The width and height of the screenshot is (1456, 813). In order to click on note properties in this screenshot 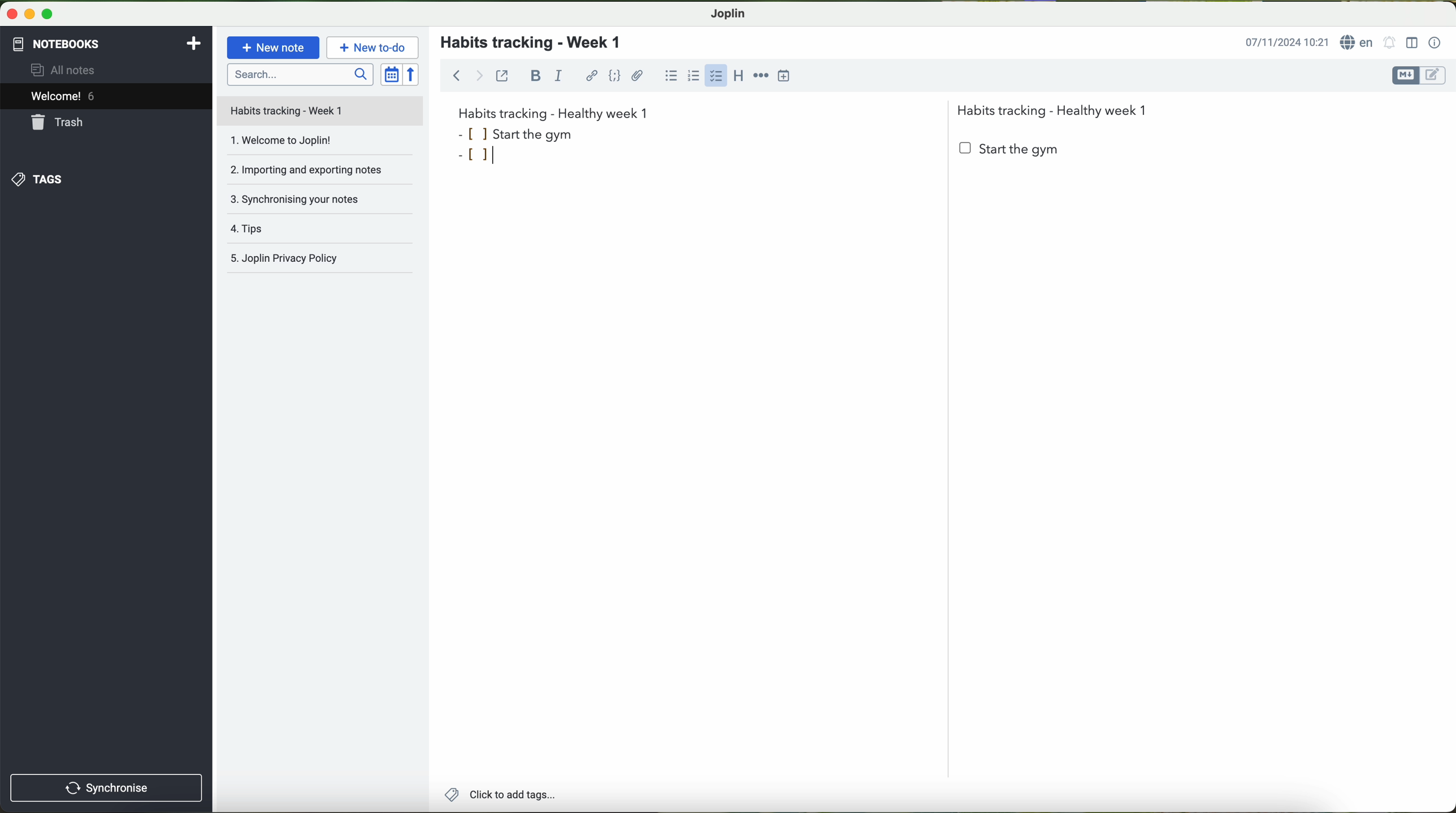, I will do `click(1436, 44)`.